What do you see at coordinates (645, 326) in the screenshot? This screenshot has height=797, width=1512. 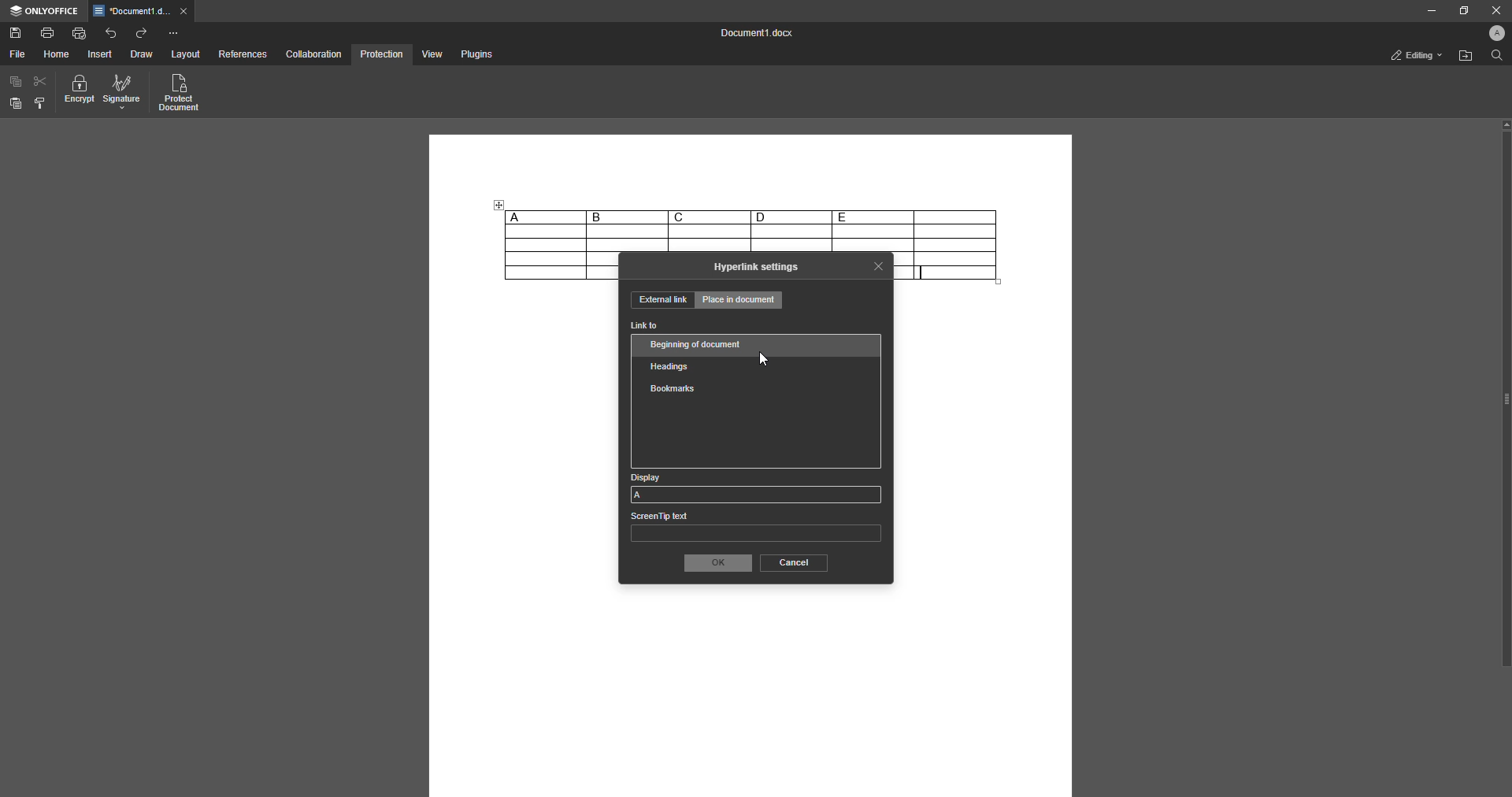 I see `Link to` at bounding box center [645, 326].